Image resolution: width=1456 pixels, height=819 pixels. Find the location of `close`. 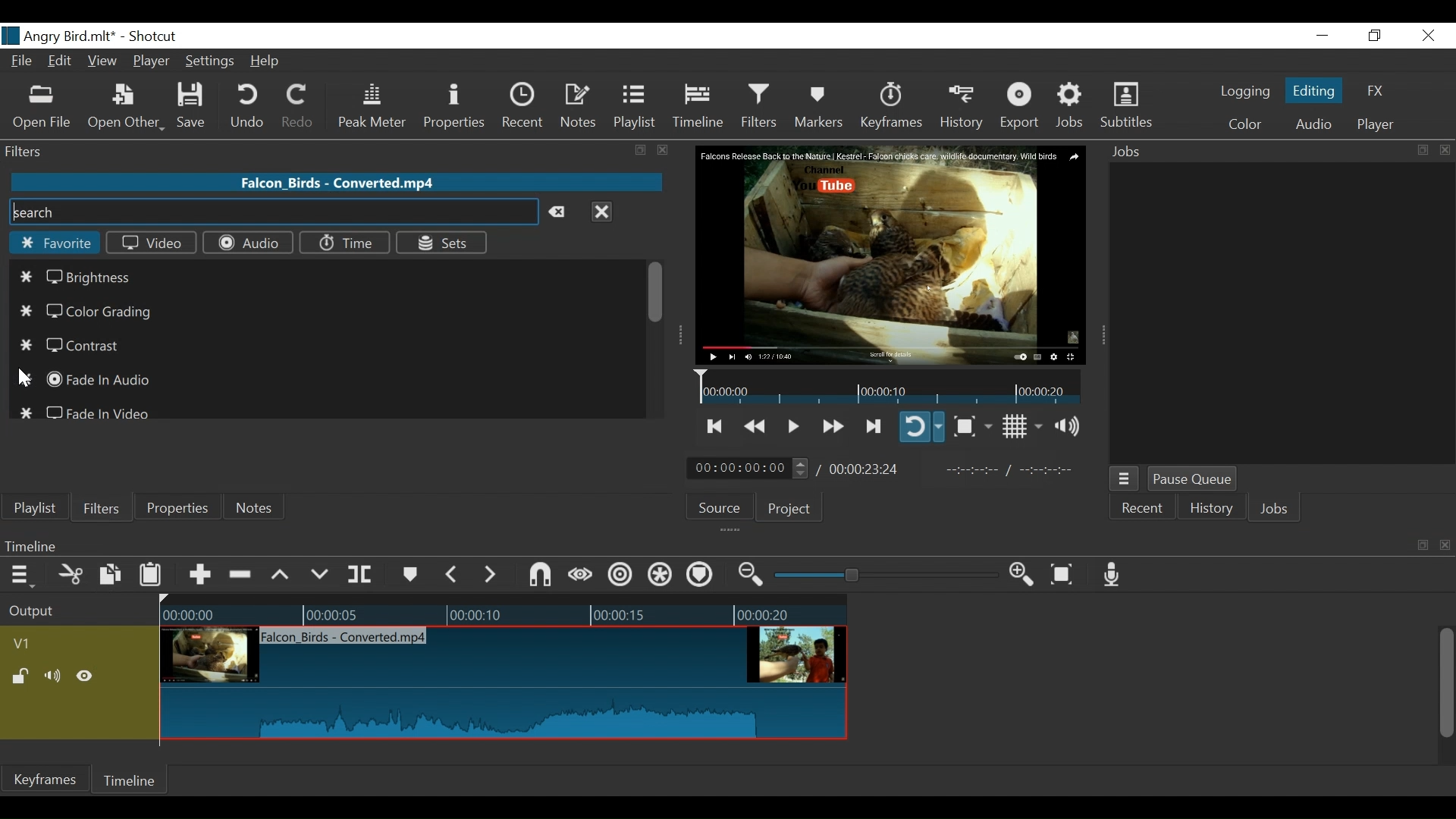

close is located at coordinates (1447, 546).